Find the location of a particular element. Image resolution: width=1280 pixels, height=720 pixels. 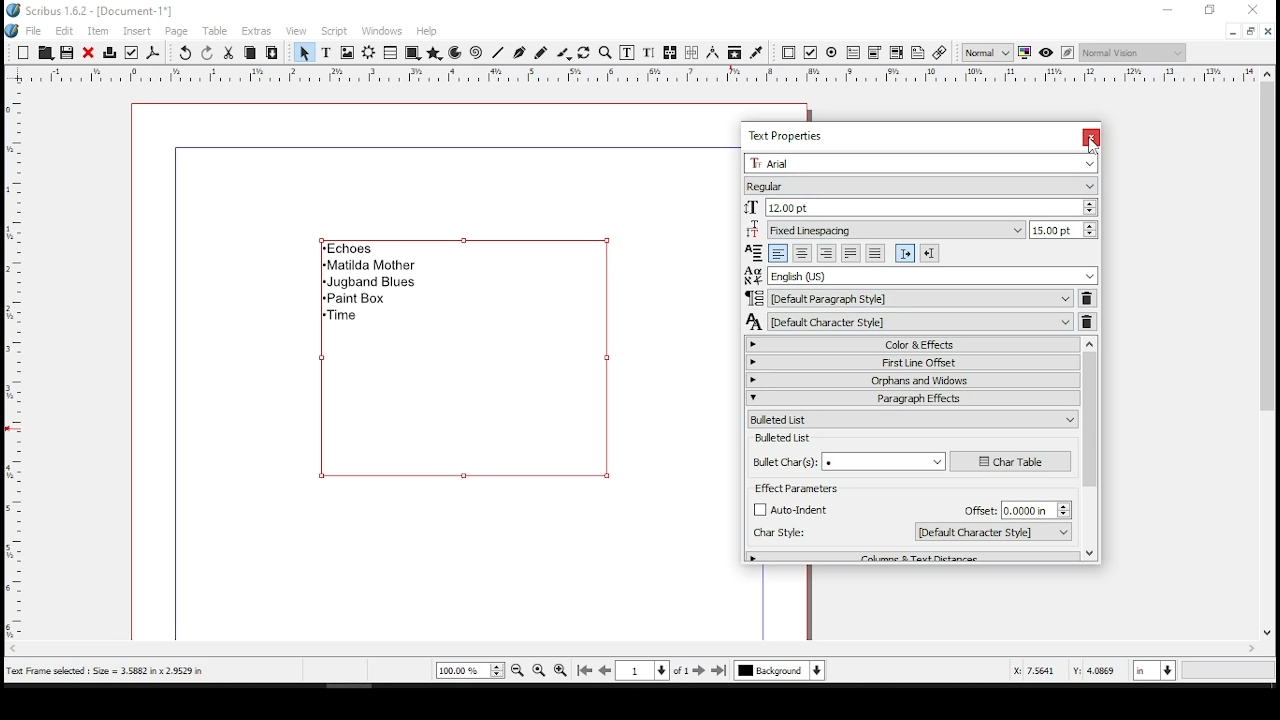

effect parameters is located at coordinates (802, 488).